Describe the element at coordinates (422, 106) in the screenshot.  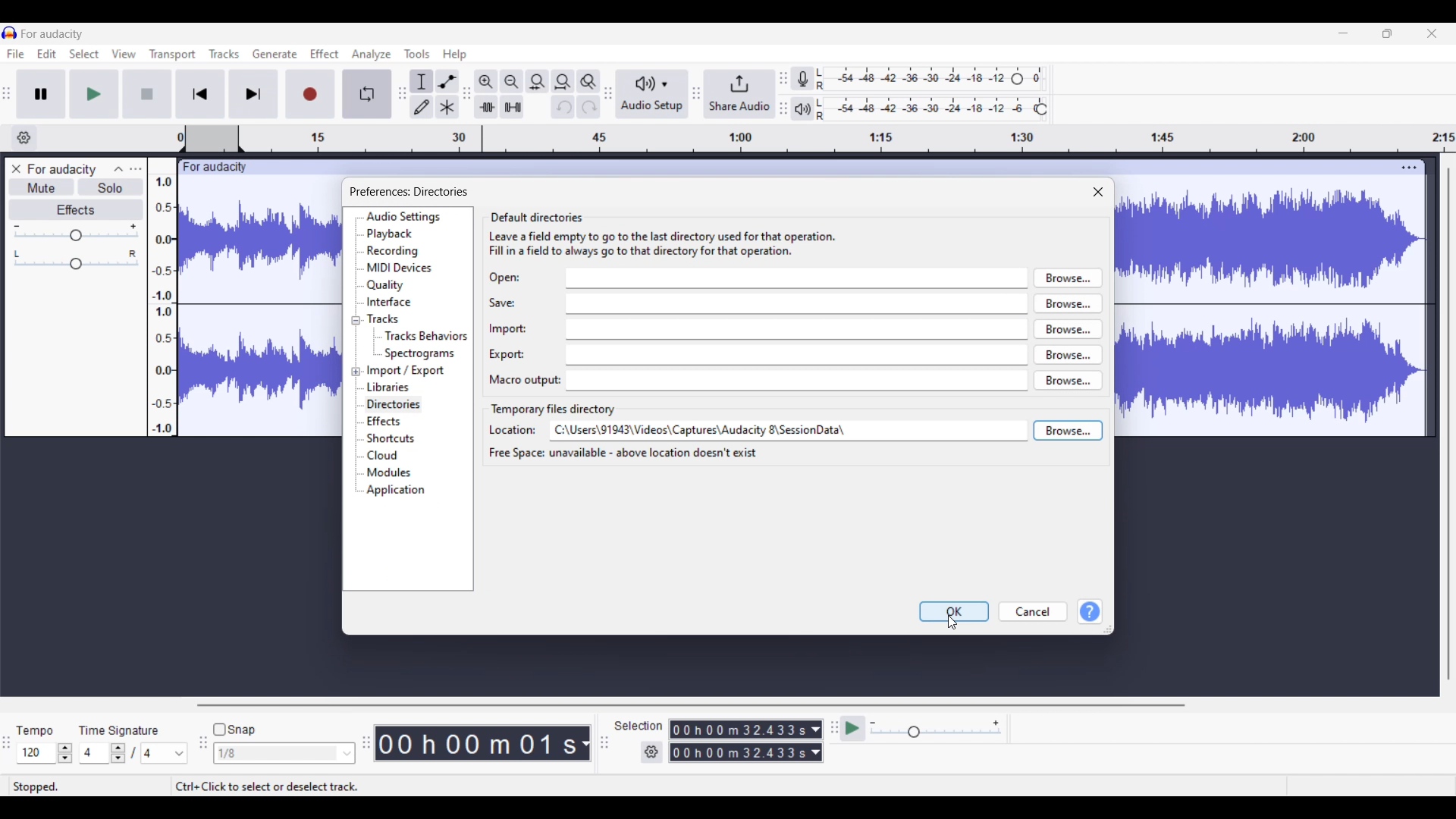
I see `Draw tool` at that location.